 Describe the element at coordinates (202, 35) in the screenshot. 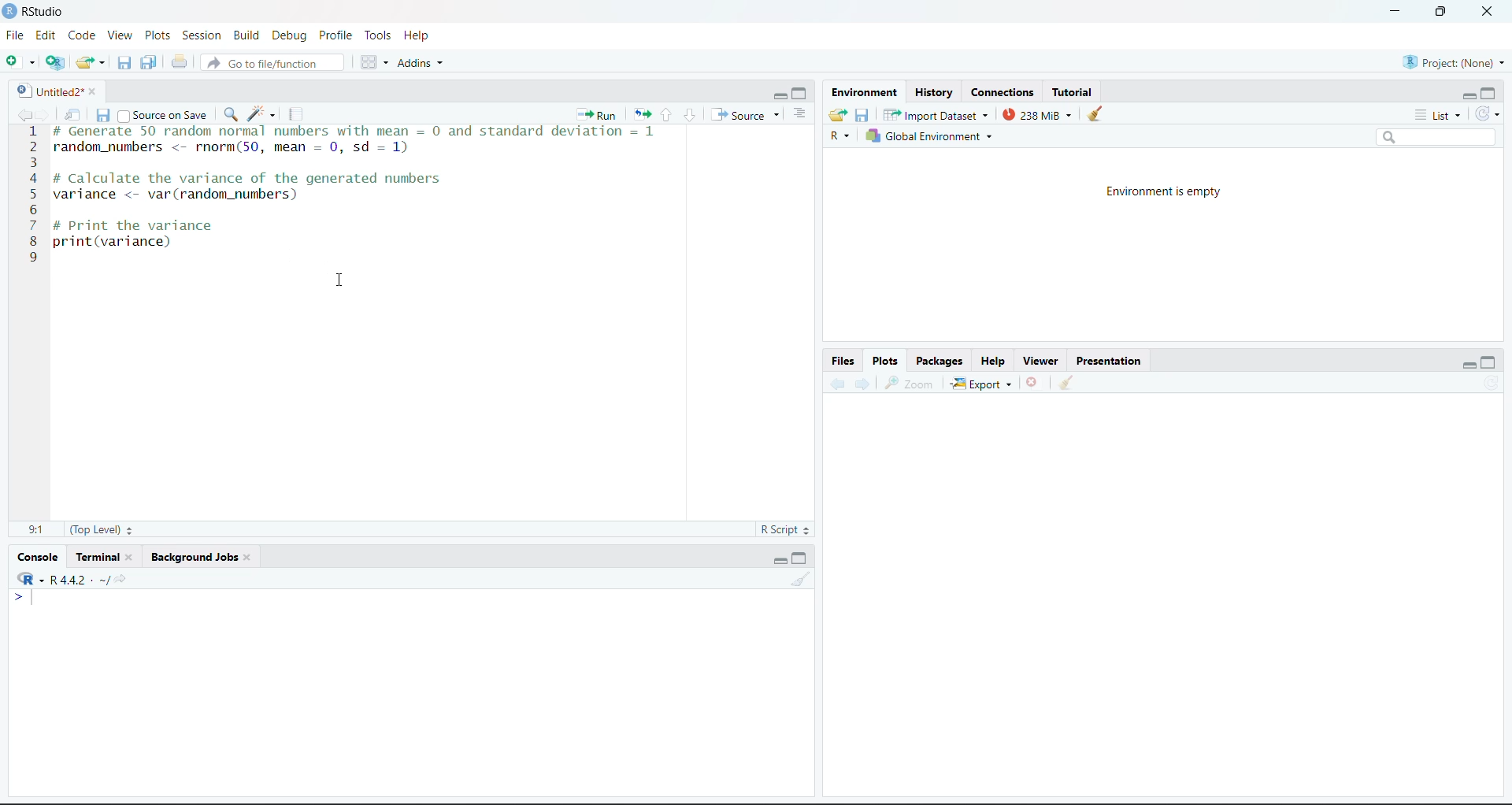

I see `Session` at that location.